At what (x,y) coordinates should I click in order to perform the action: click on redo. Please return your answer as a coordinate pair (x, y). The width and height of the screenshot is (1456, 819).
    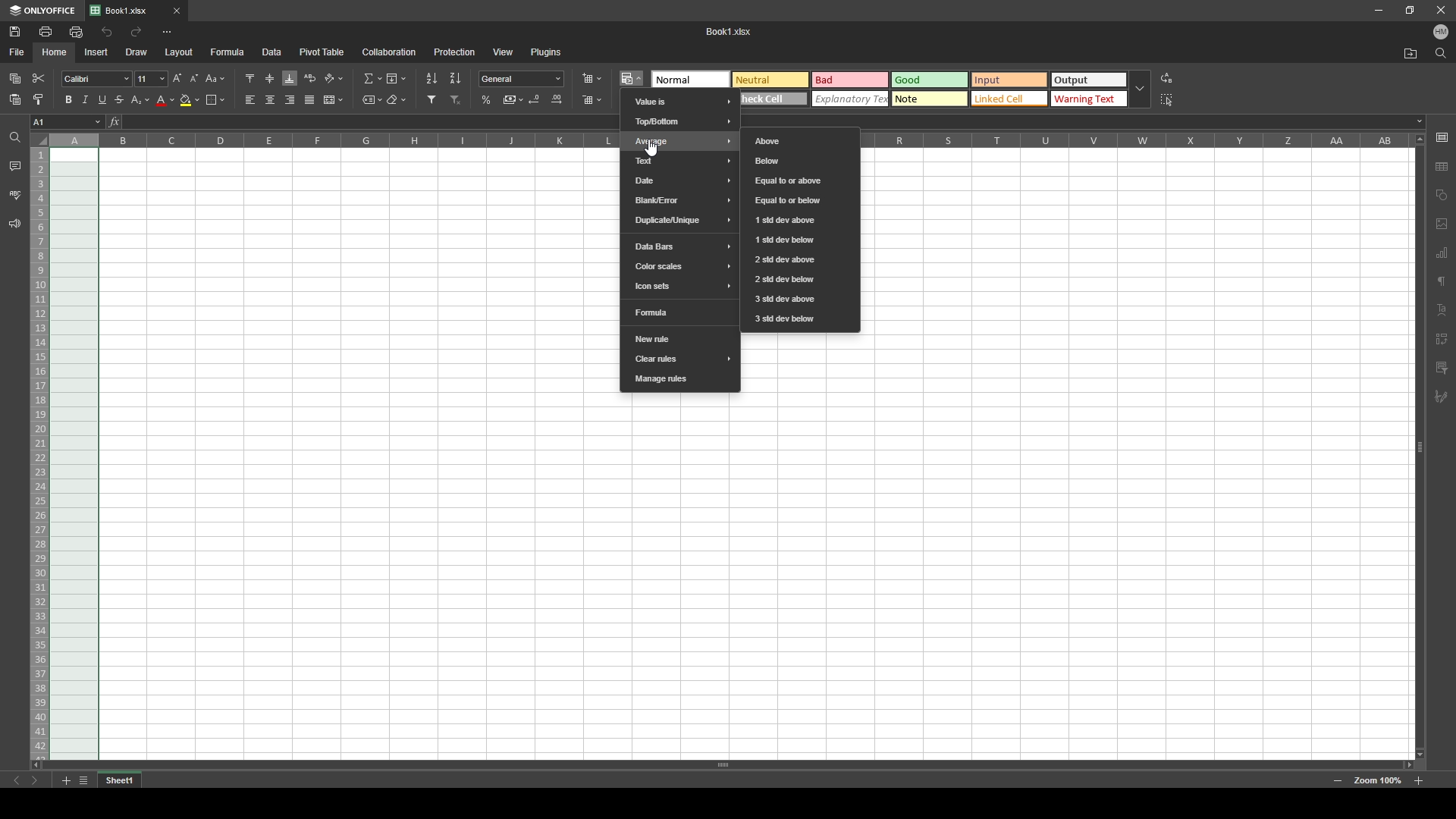
    Looking at the image, I should click on (136, 31).